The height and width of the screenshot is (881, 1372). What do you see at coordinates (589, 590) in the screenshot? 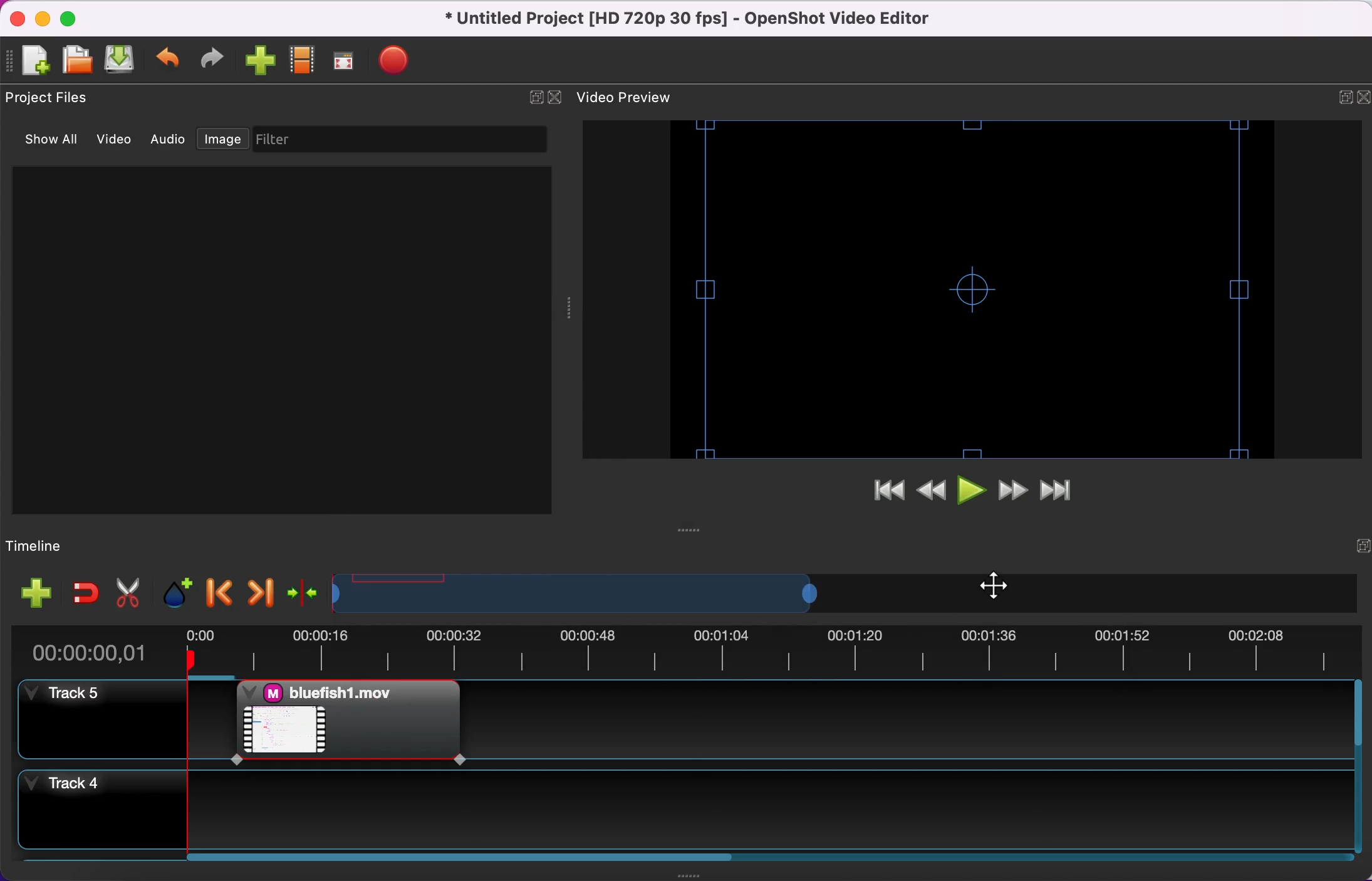
I see `timeline` at bounding box center [589, 590].